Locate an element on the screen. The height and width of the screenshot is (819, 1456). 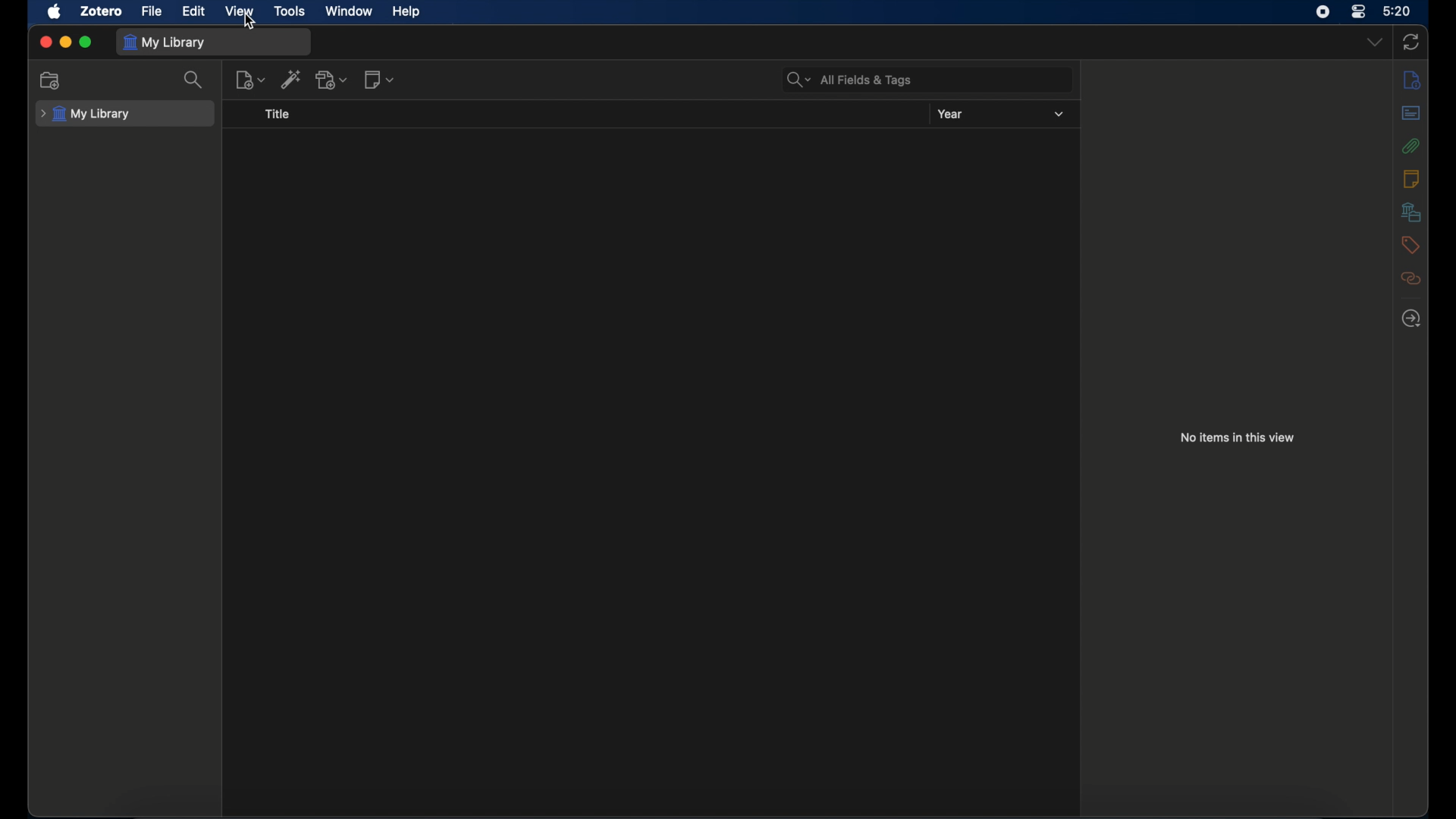
dropdown is located at coordinates (1373, 41).